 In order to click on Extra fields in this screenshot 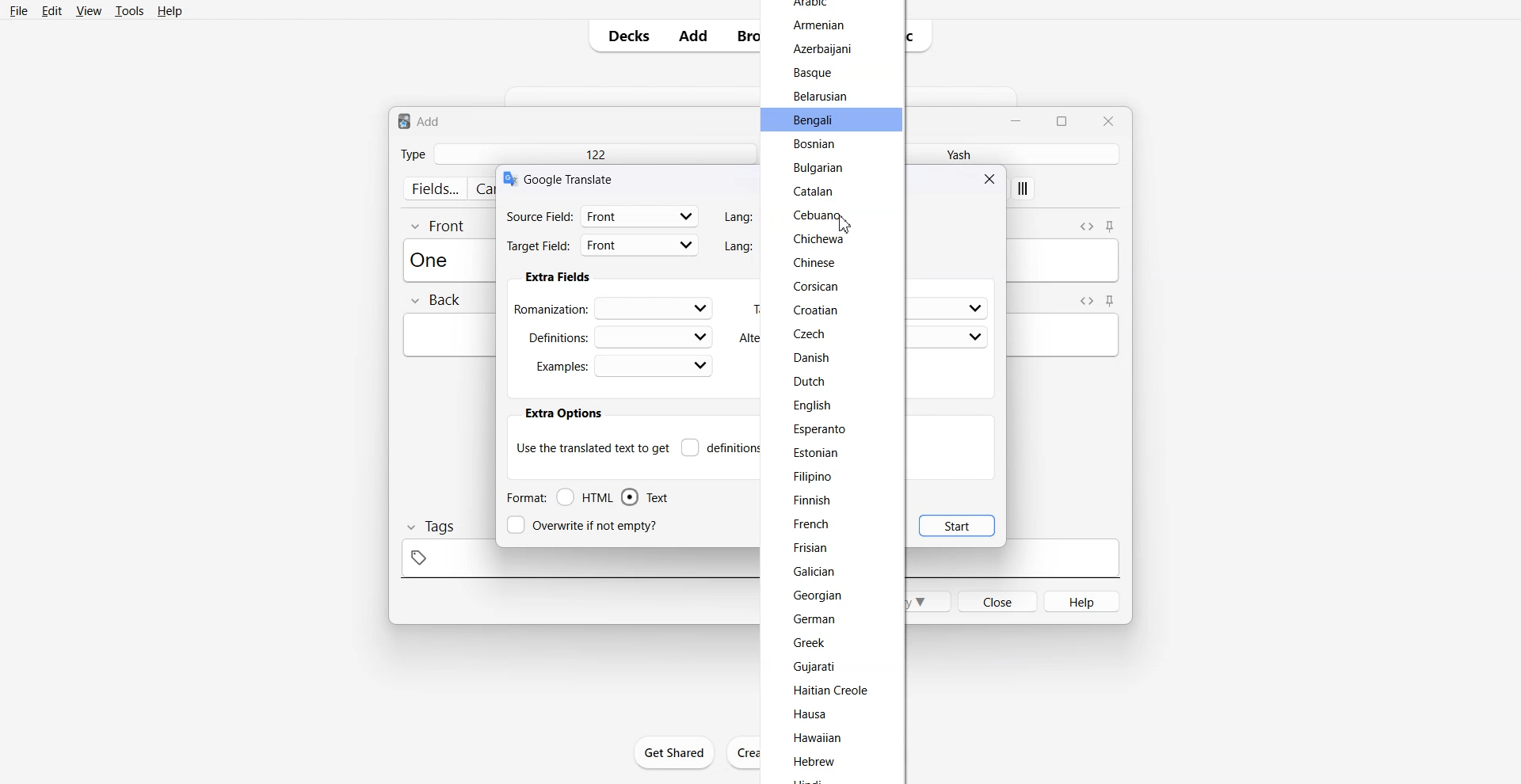, I will do `click(558, 277)`.